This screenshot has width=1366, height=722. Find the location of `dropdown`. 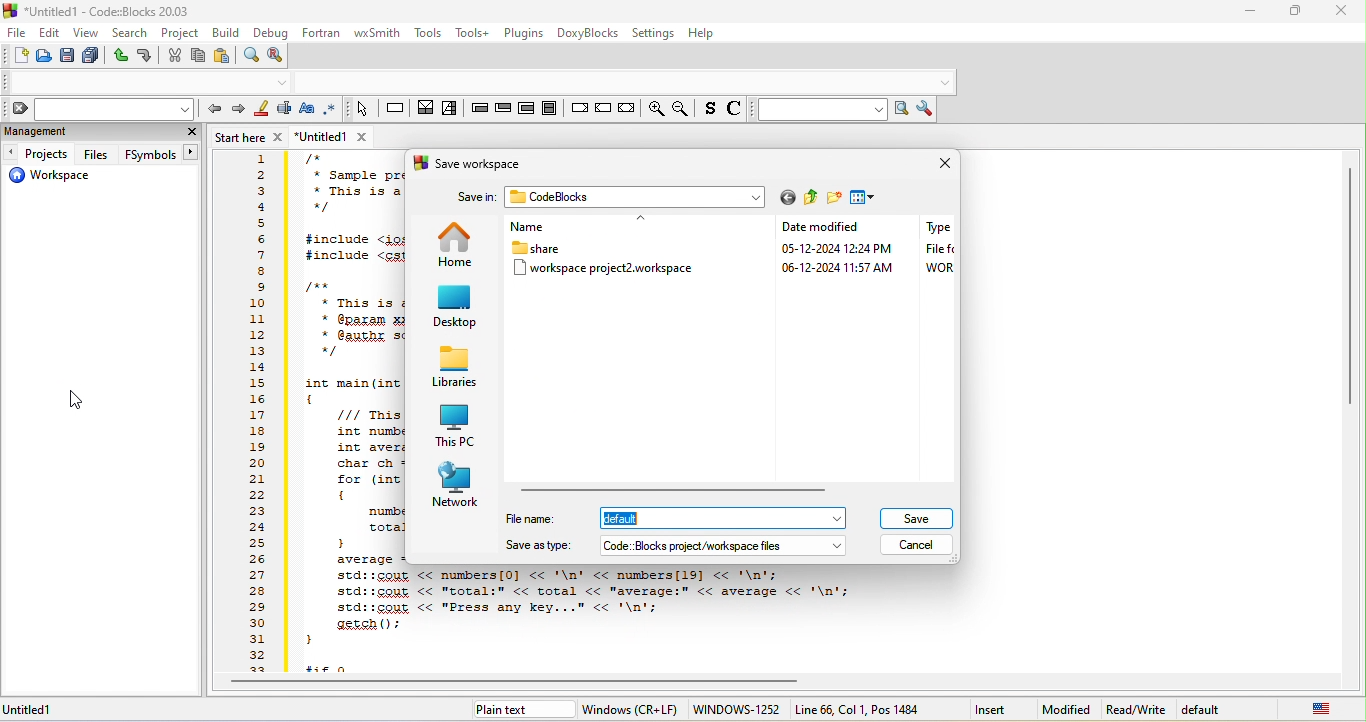

dropdown is located at coordinates (838, 519).